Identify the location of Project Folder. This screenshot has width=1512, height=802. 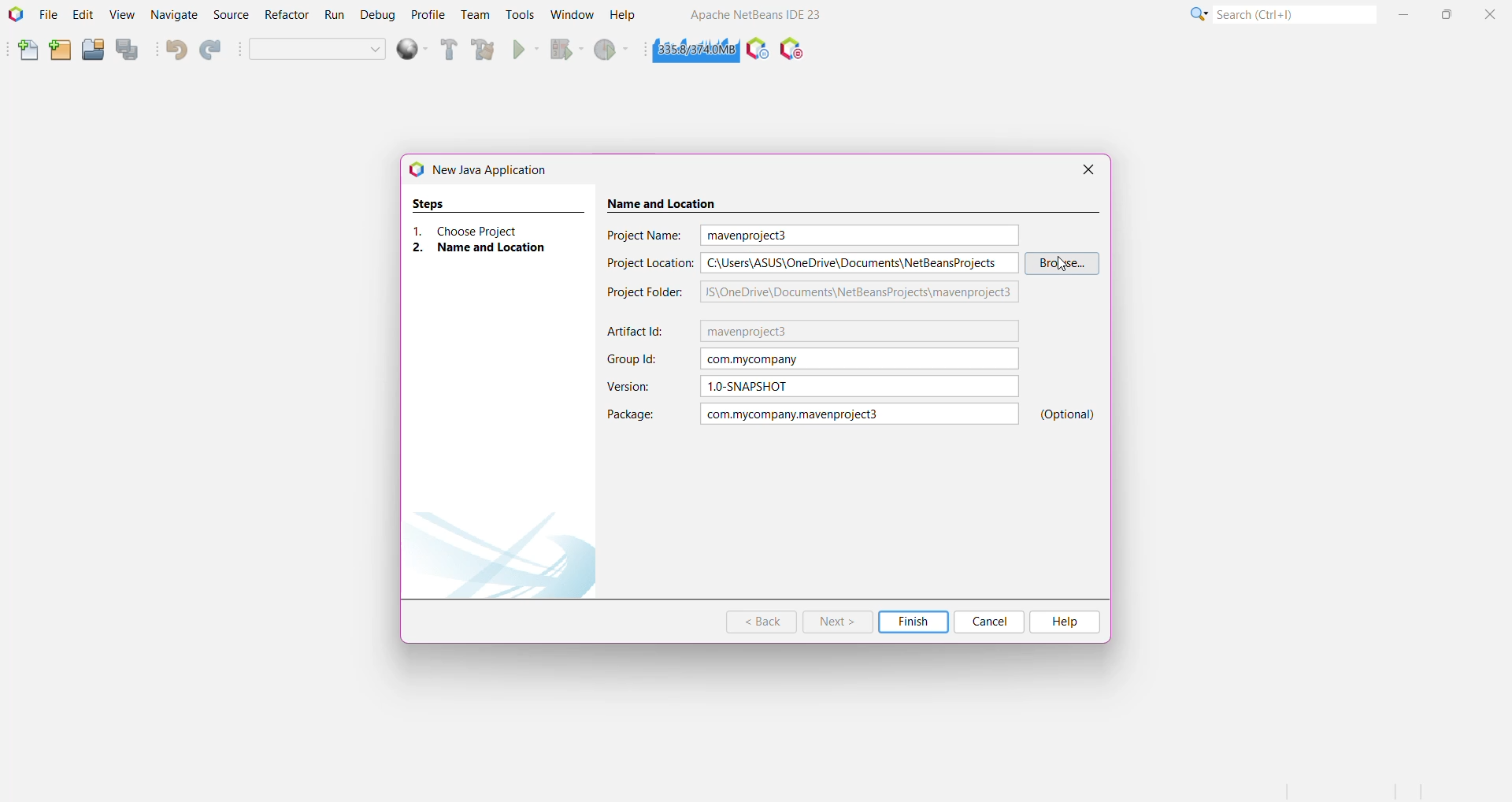
(647, 292).